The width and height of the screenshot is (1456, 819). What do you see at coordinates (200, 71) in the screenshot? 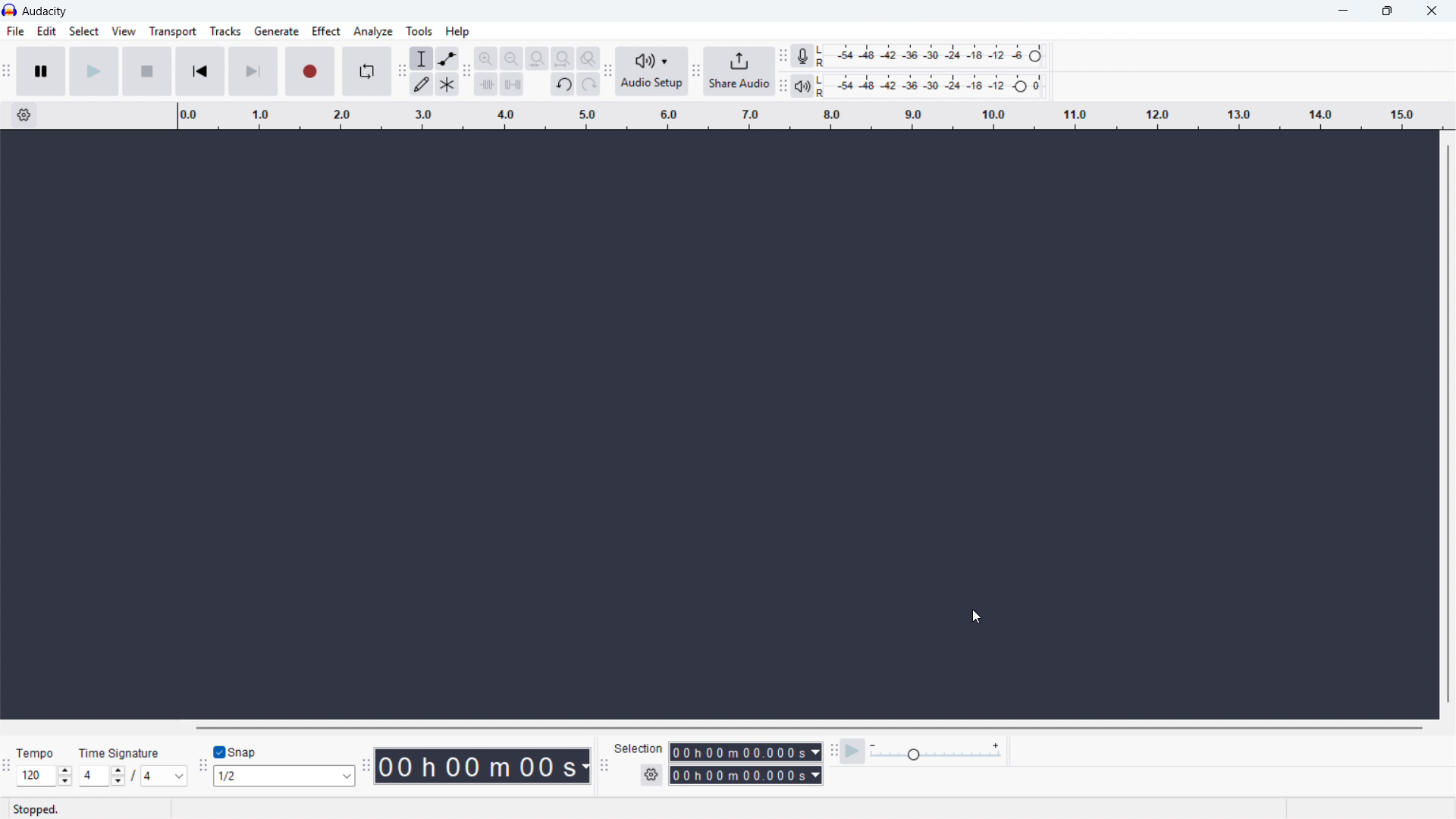
I see `skip to start` at bounding box center [200, 71].